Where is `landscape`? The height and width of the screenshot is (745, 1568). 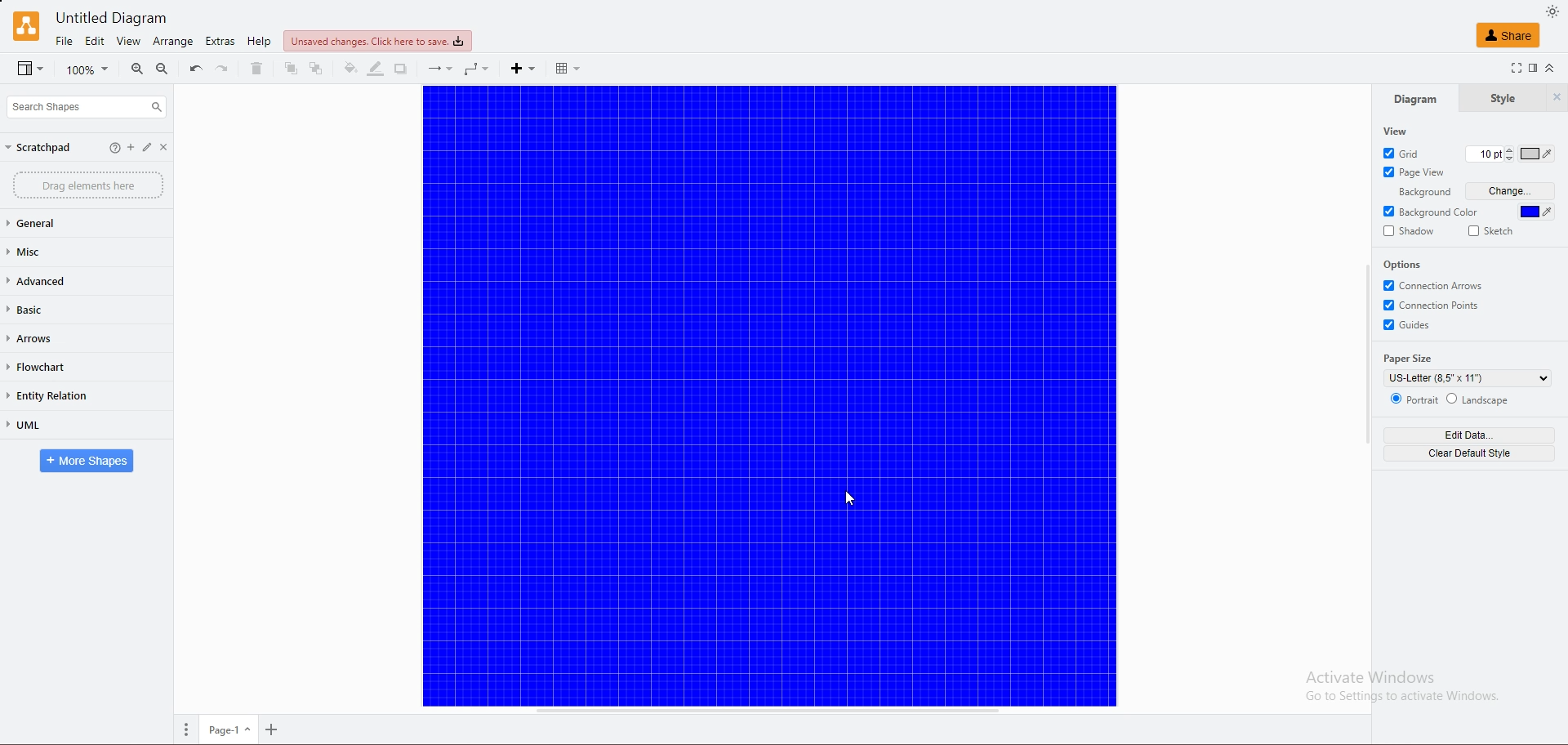 landscape is located at coordinates (1480, 399).